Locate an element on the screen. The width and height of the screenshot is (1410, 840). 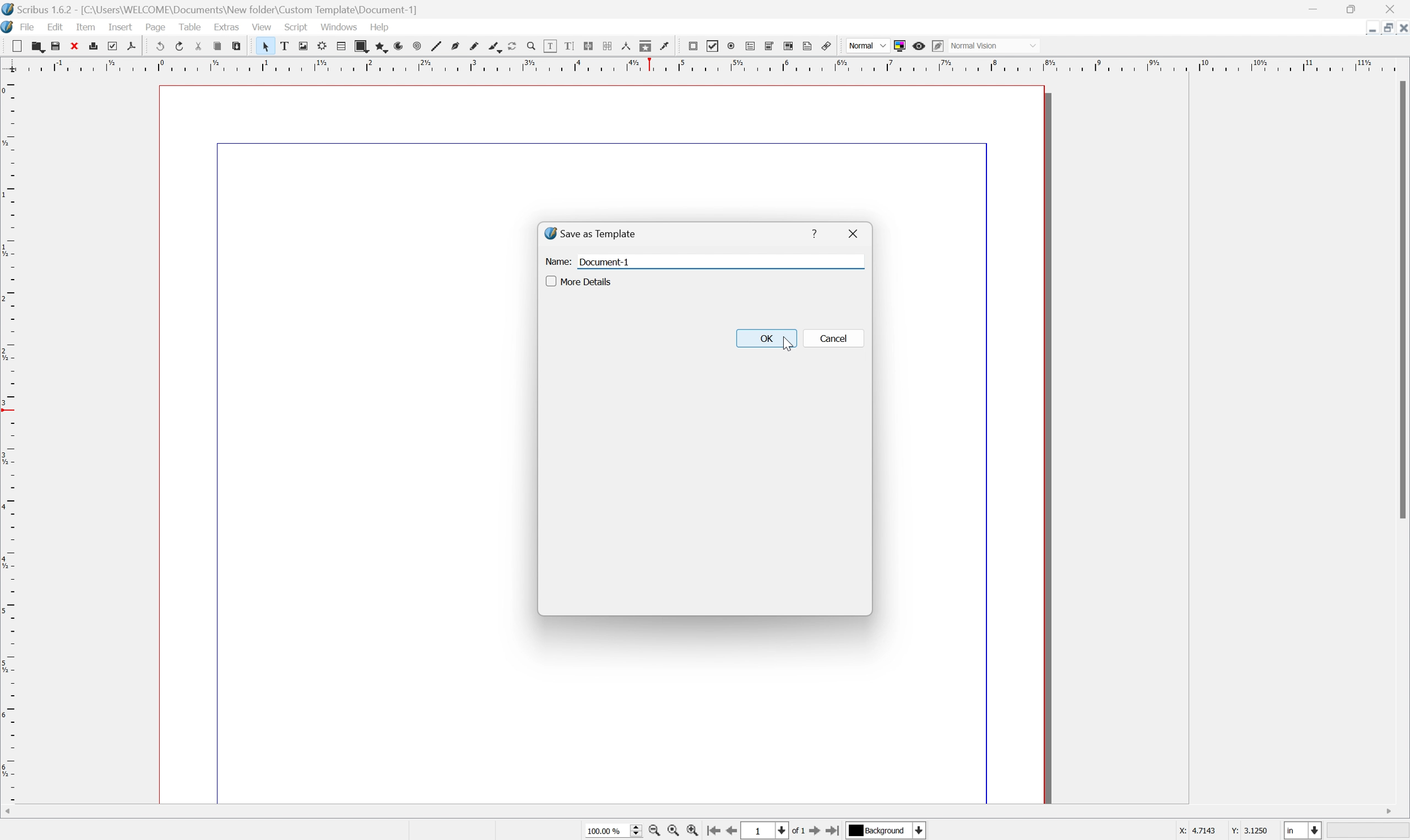
Text annotation is located at coordinates (807, 45).